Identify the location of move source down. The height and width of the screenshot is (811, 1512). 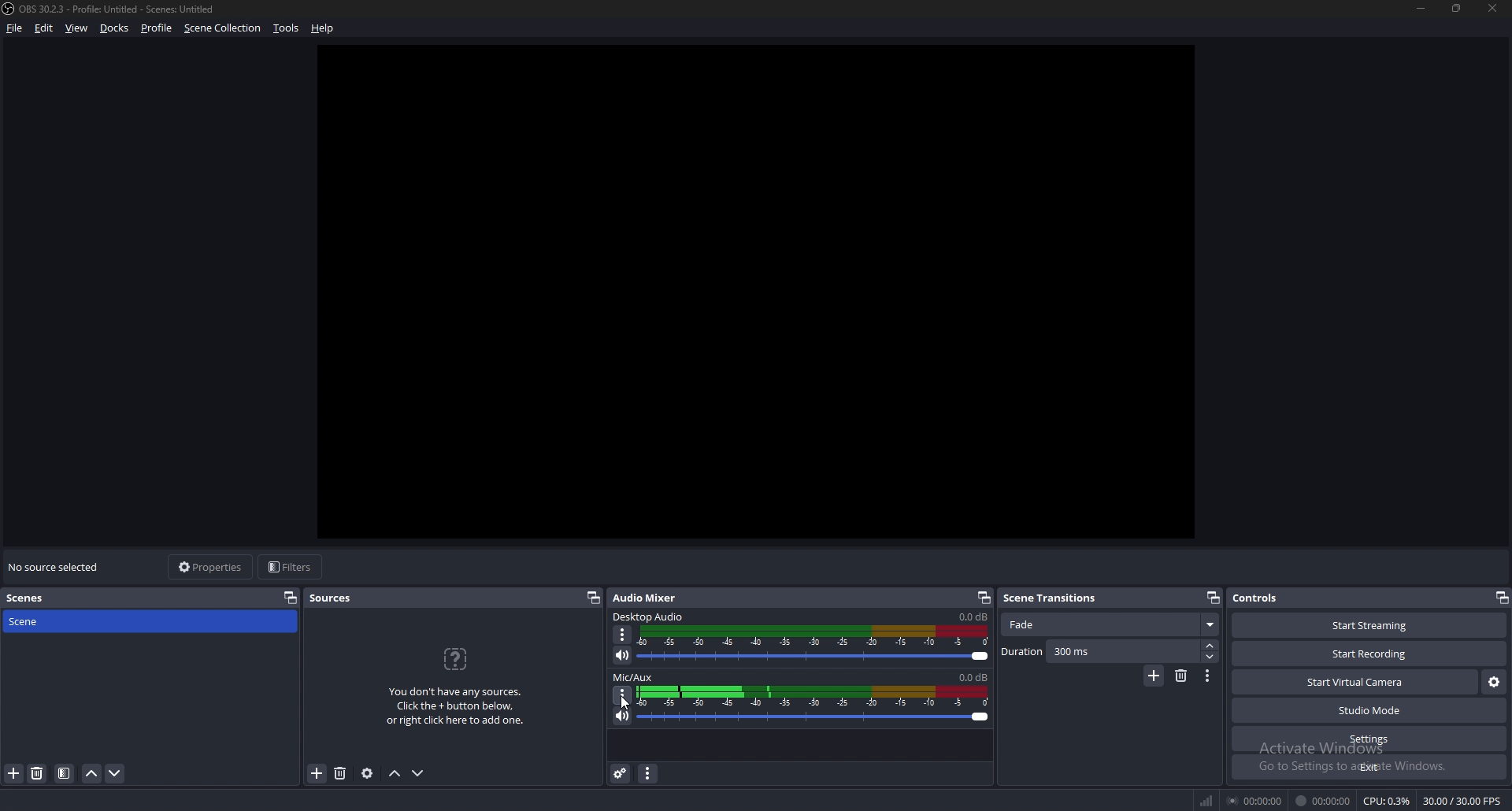
(419, 773).